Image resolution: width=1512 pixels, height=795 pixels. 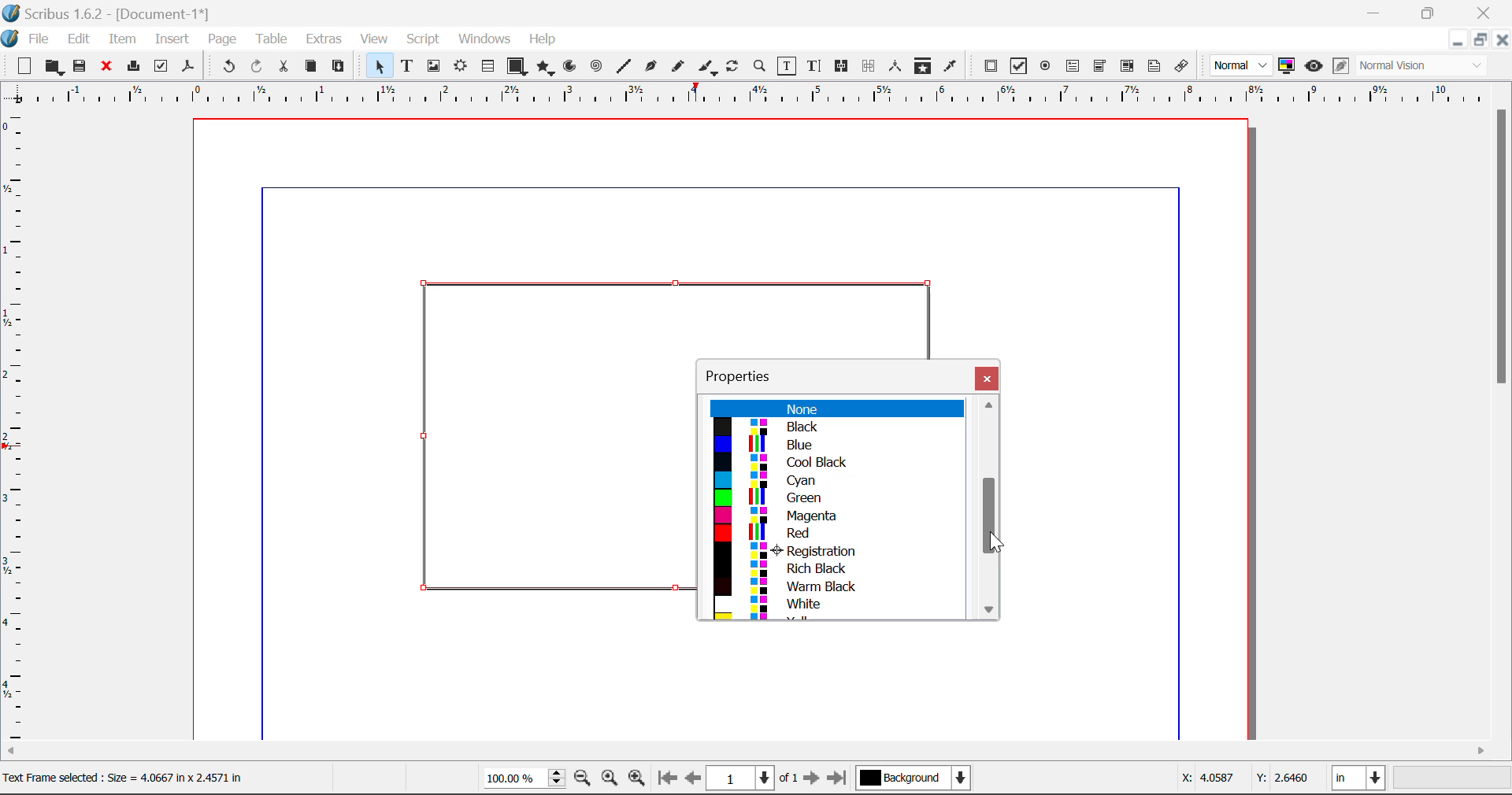 What do you see at coordinates (637, 780) in the screenshot?
I see `Zoom In` at bounding box center [637, 780].